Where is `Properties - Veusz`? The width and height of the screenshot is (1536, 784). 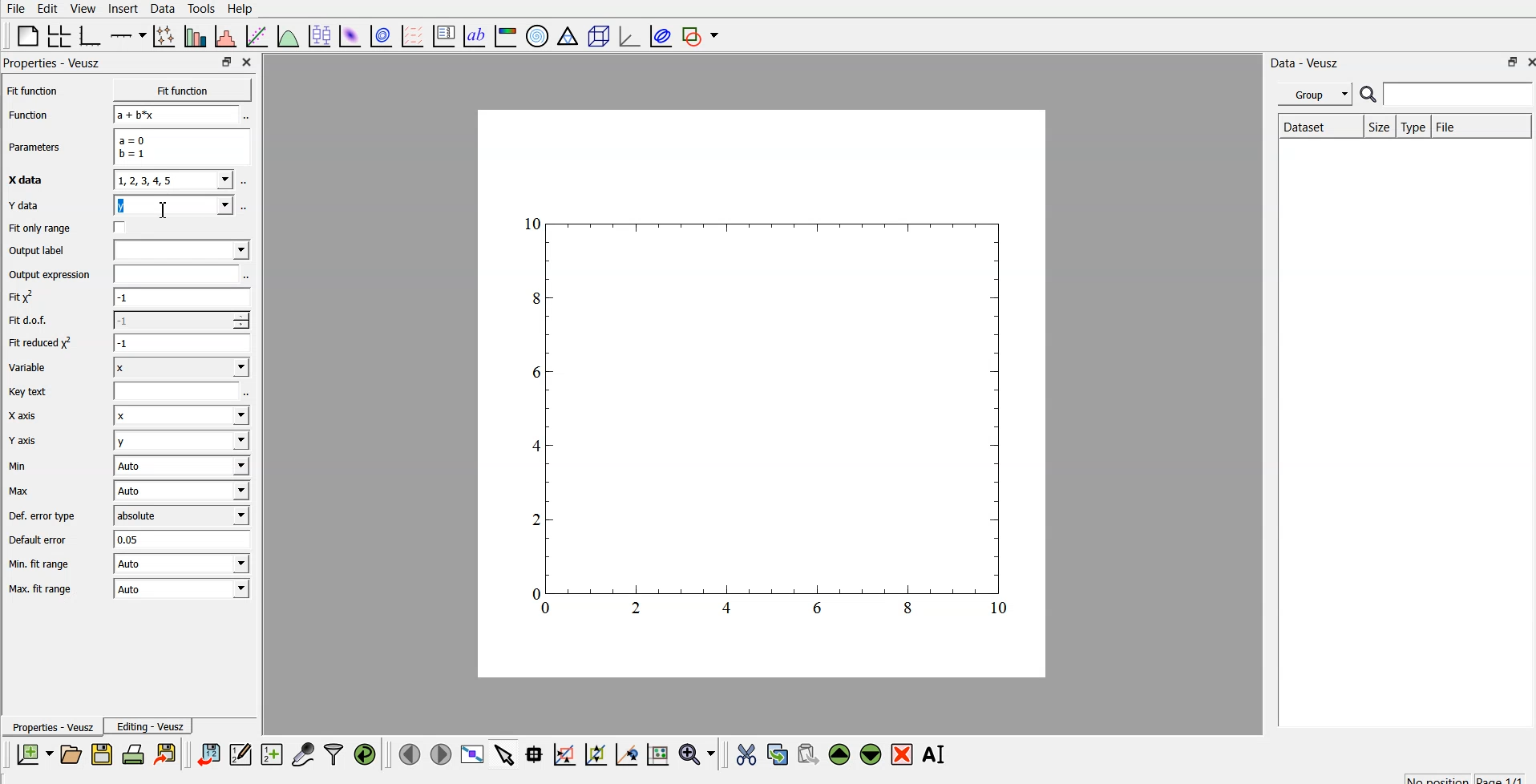
Properties - Veusz is located at coordinates (53, 726).